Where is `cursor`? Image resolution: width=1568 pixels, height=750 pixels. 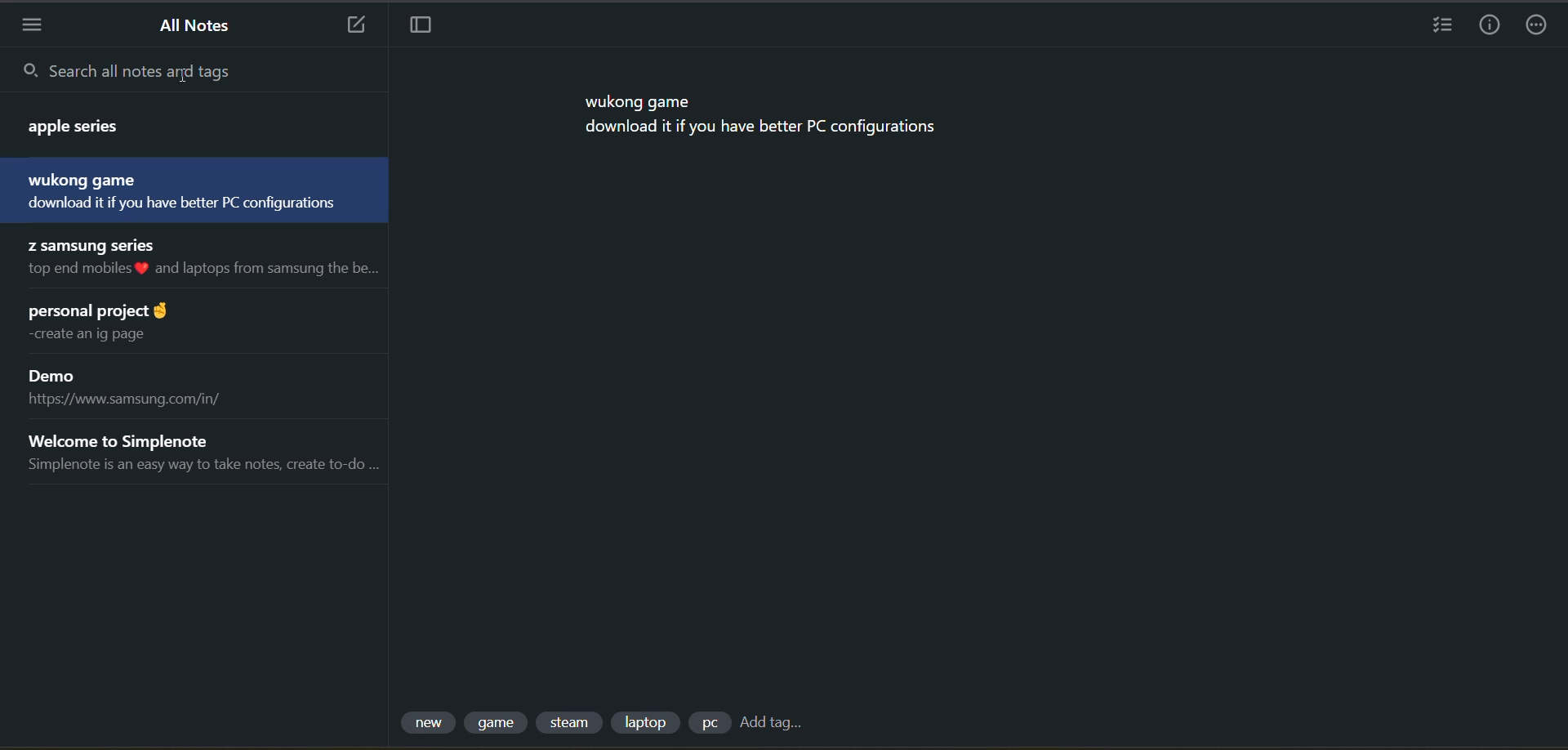 cursor is located at coordinates (185, 76).